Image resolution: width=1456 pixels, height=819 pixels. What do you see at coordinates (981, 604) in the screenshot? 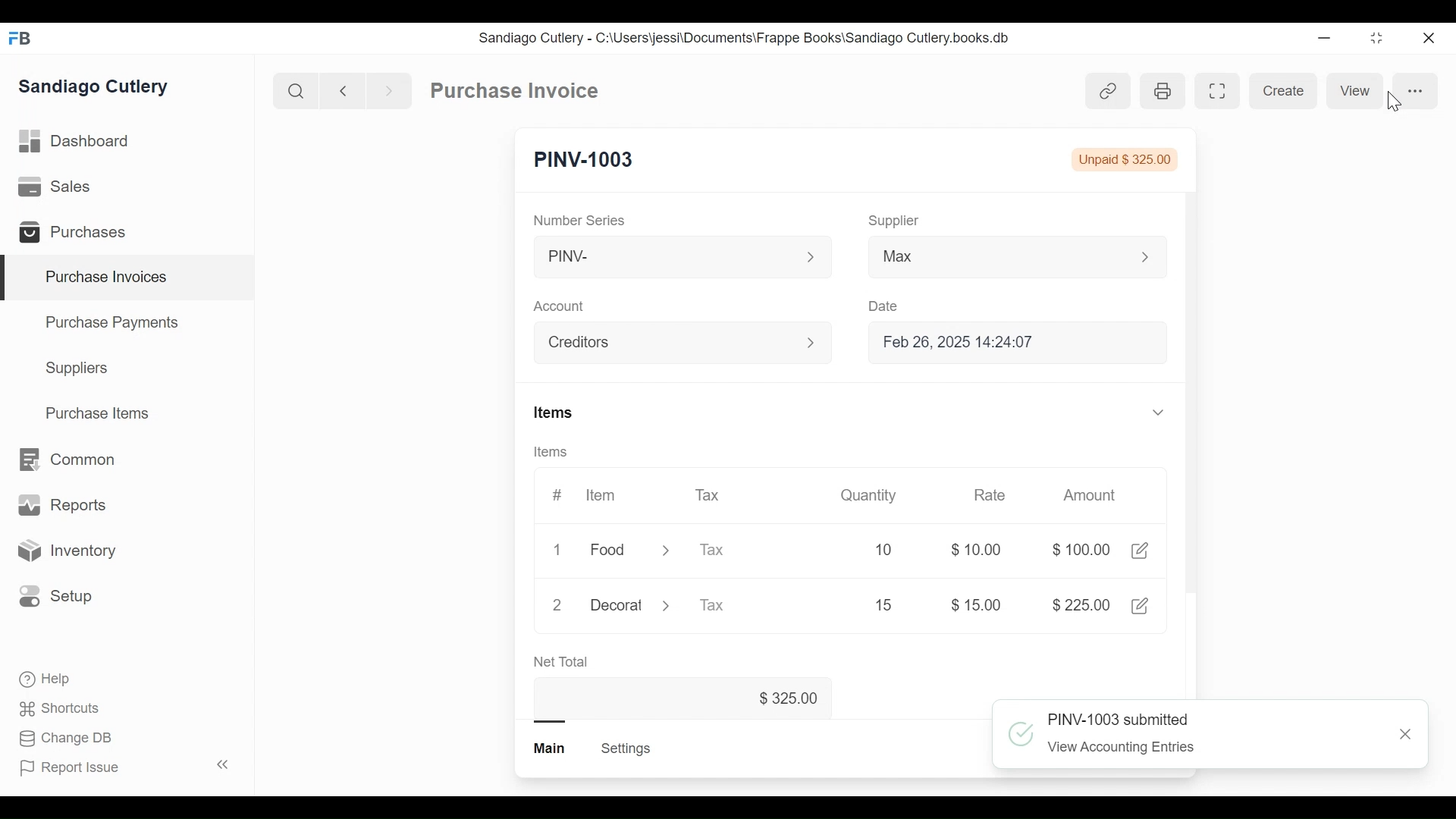
I see `$15.00` at bounding box center [981, 604].